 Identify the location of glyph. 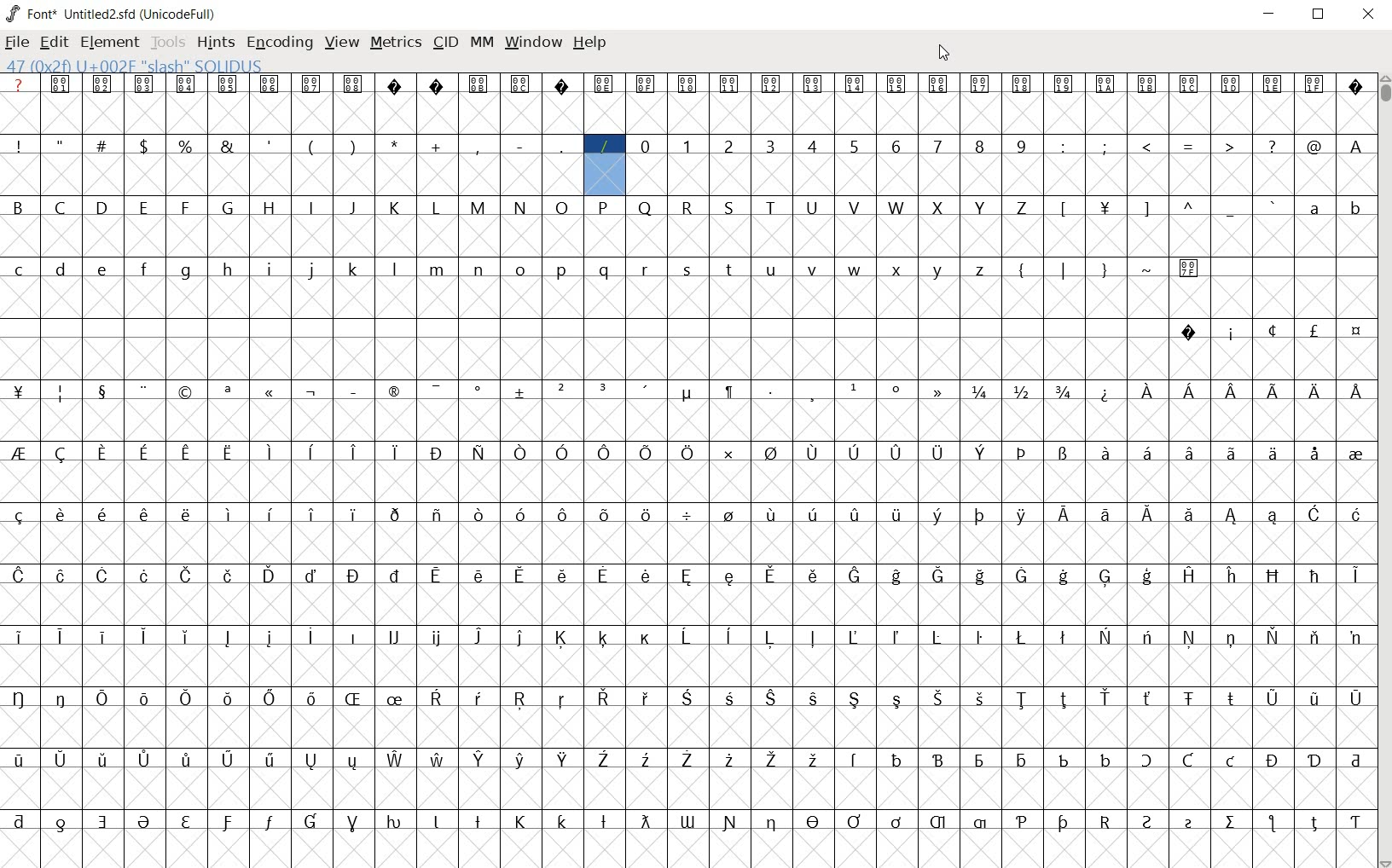
(229, 699).